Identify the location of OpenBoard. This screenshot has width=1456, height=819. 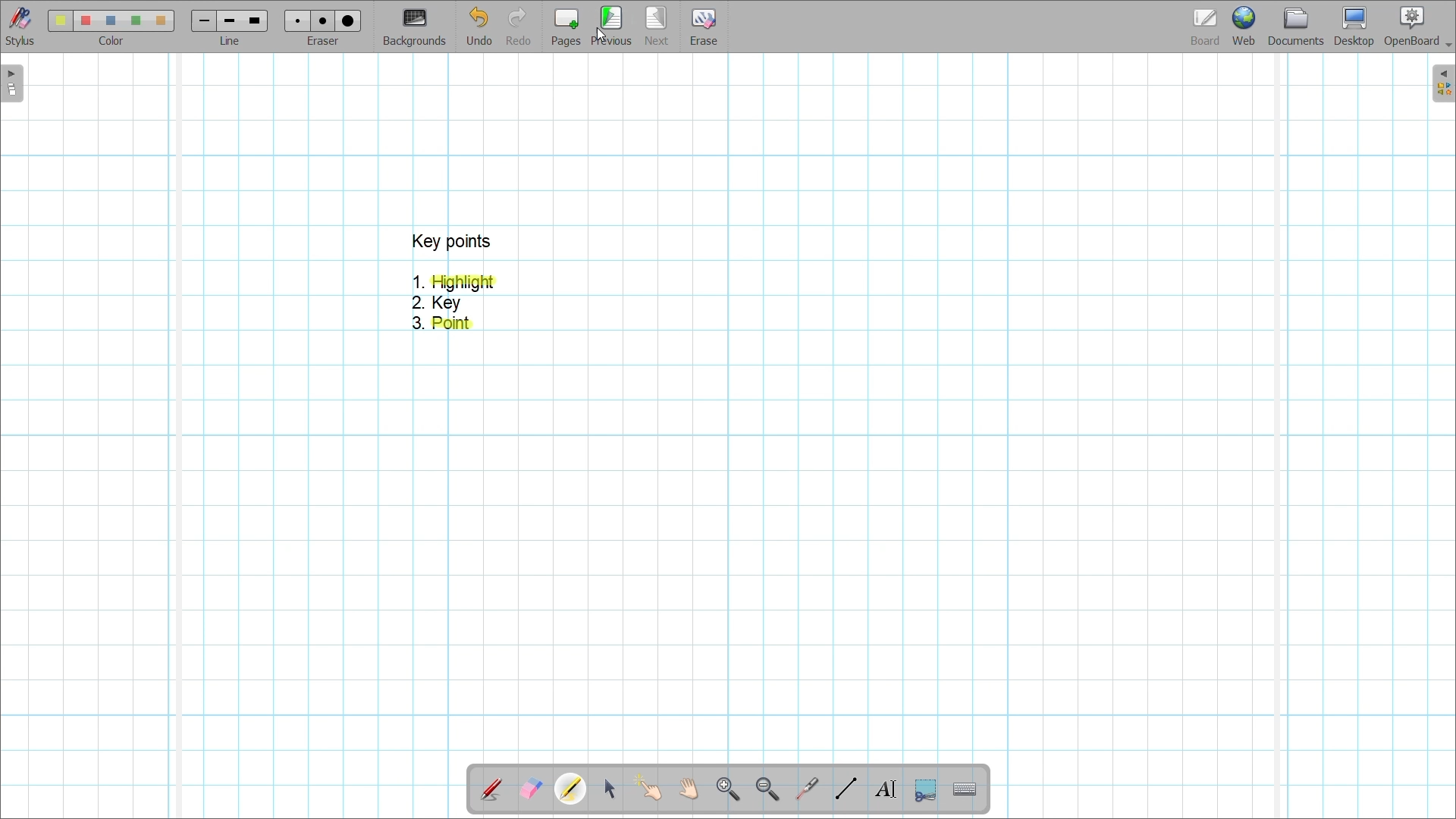
(1417, 27).